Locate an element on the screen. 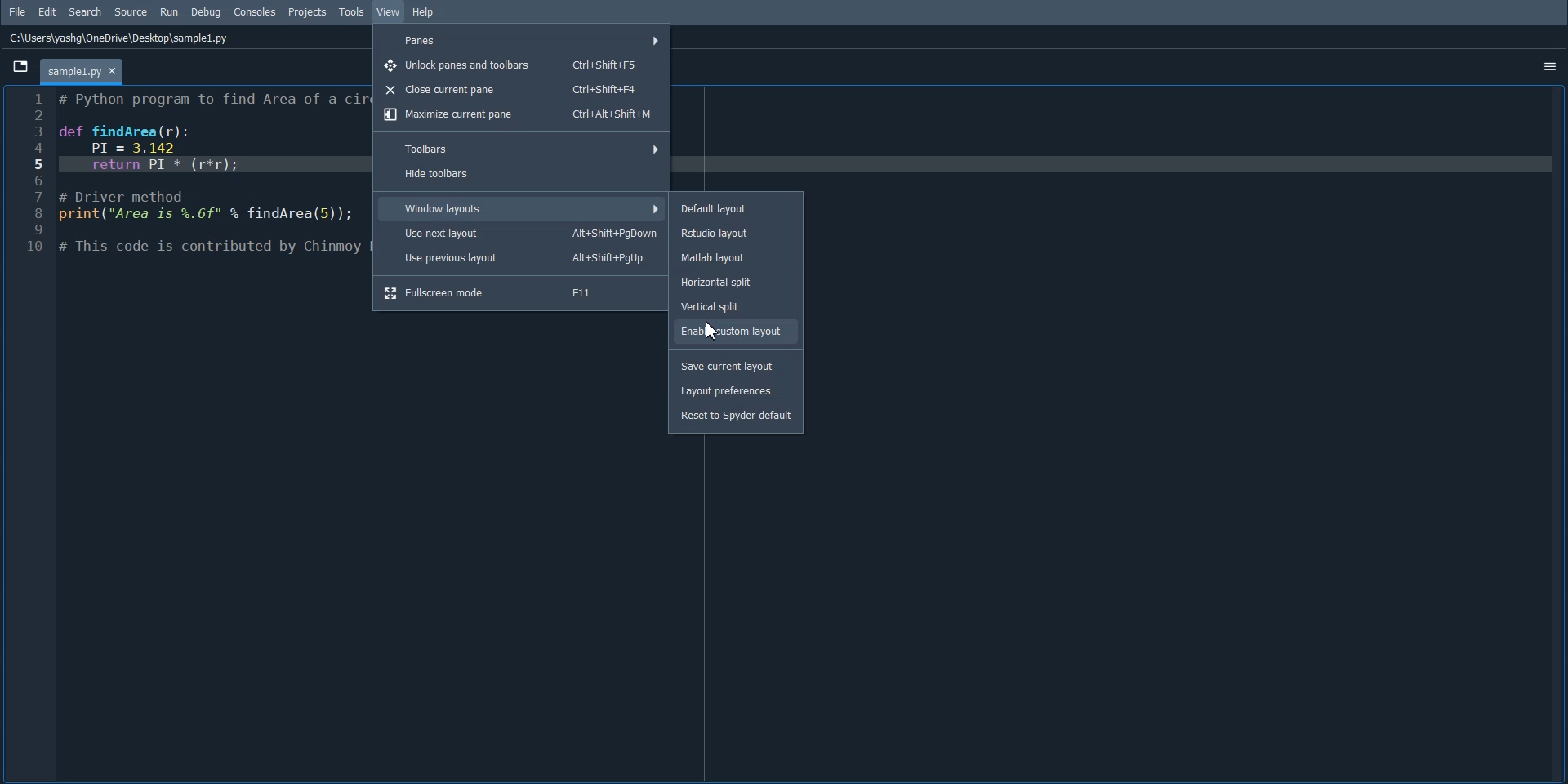 Image resolution: width=1568 pixels, height=784 pixels. Use next layout is located at coordinates (523, 234).